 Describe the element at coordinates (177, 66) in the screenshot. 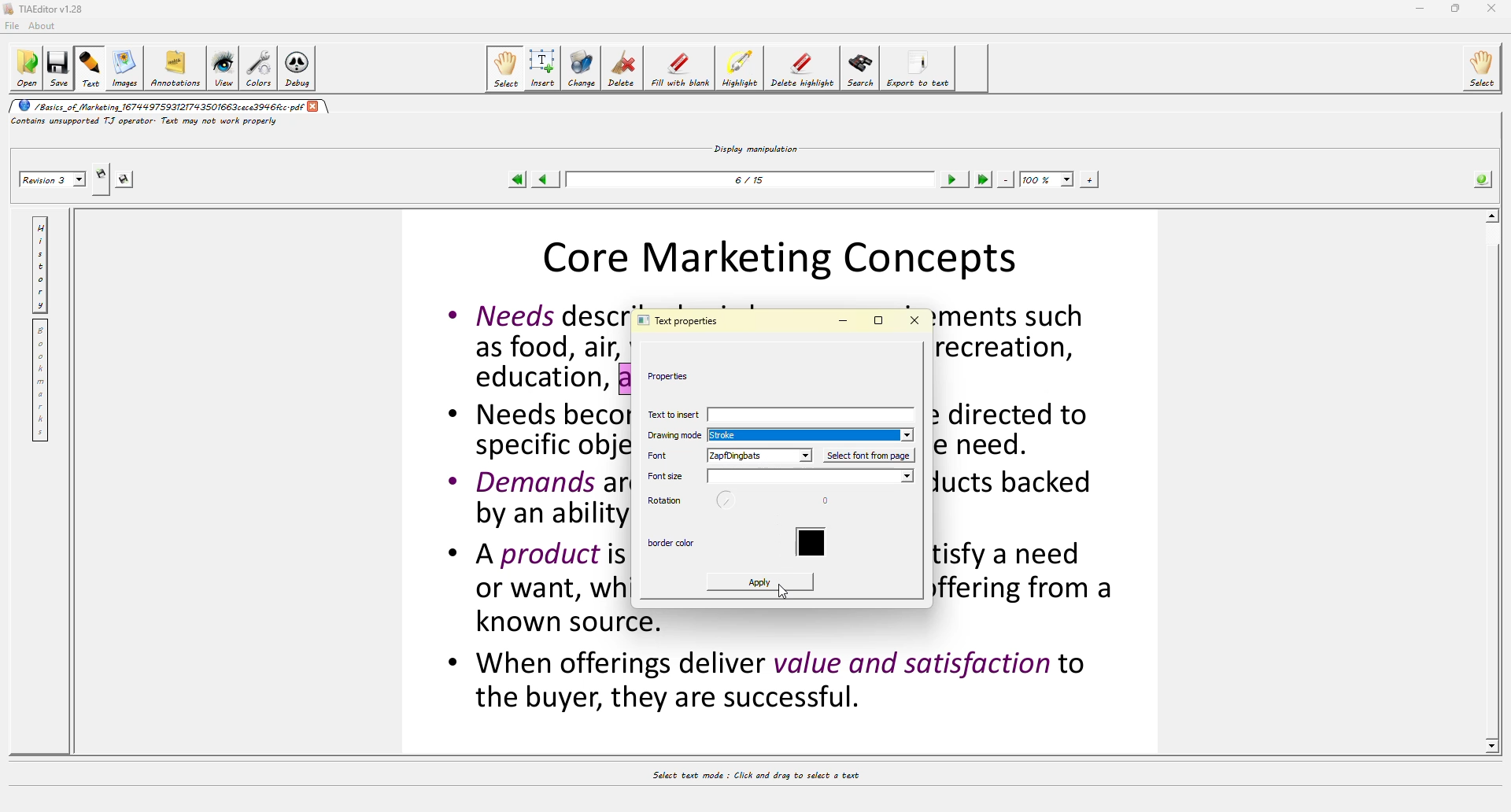

I see `annotations` at that location.